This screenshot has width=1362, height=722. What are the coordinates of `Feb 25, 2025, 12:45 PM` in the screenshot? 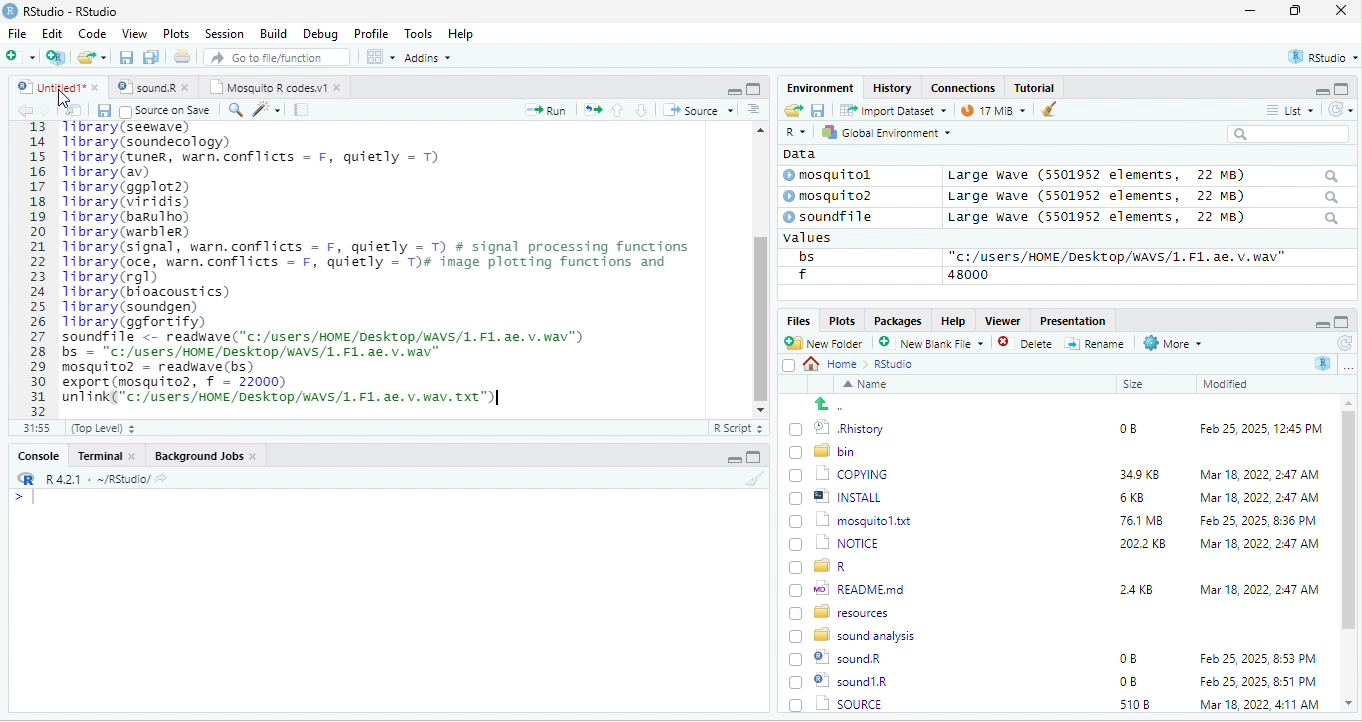 It's located at (1261, 431).